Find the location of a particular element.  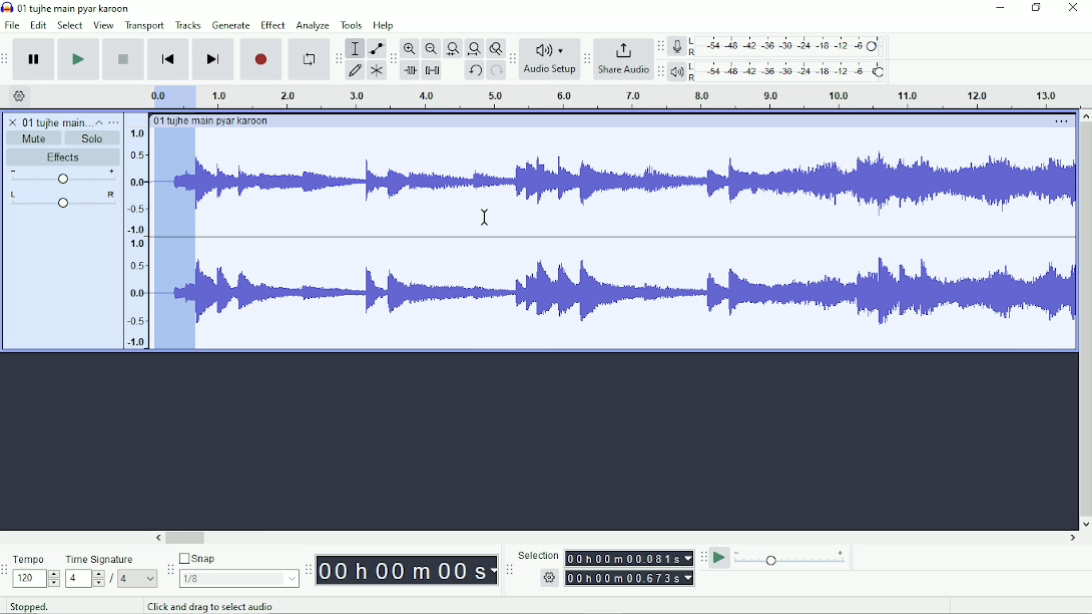

Zoom toggle is located at coordinates (495, 48).